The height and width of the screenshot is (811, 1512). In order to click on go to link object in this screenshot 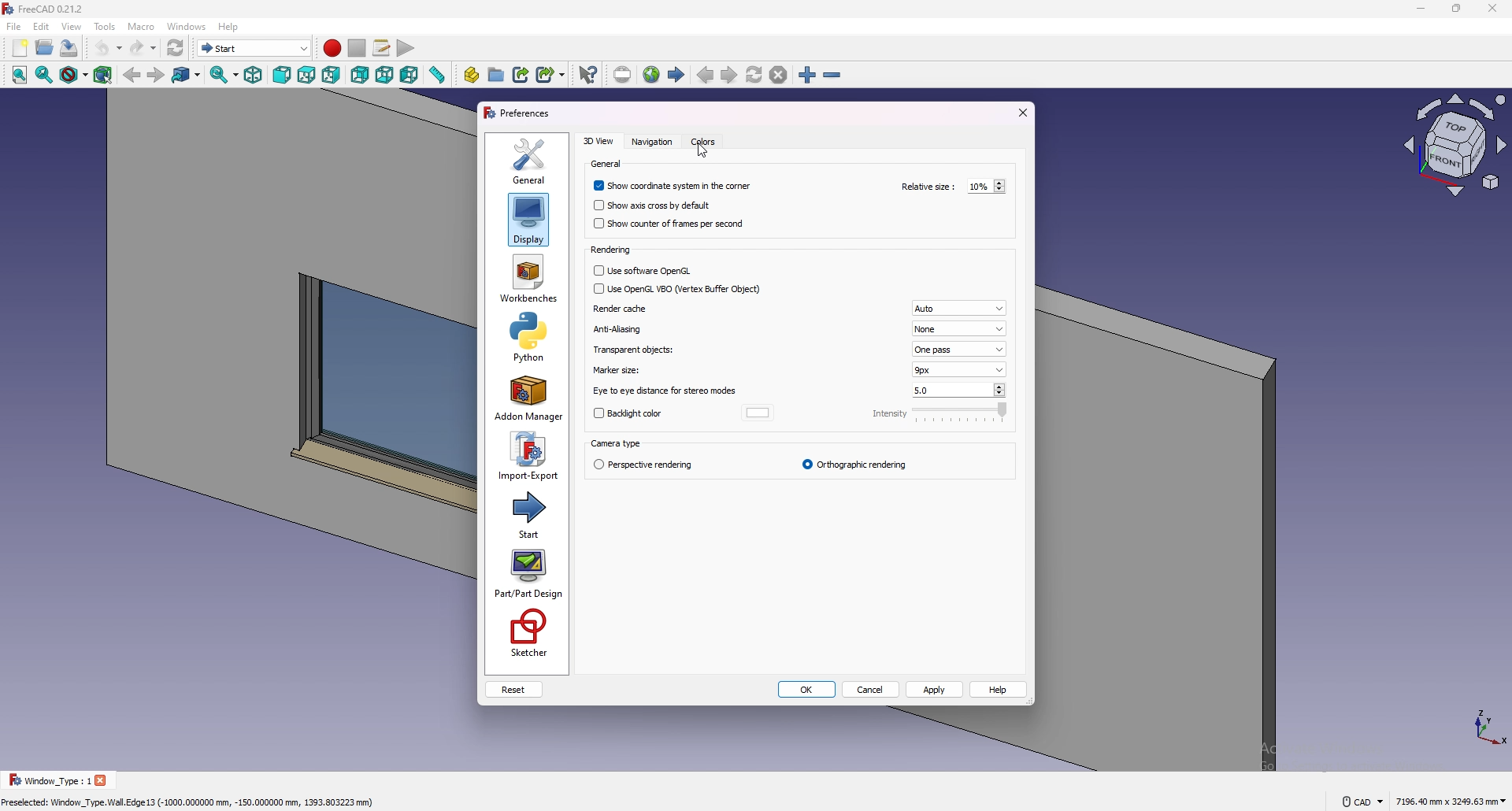, I will do `click(187, 76)`.